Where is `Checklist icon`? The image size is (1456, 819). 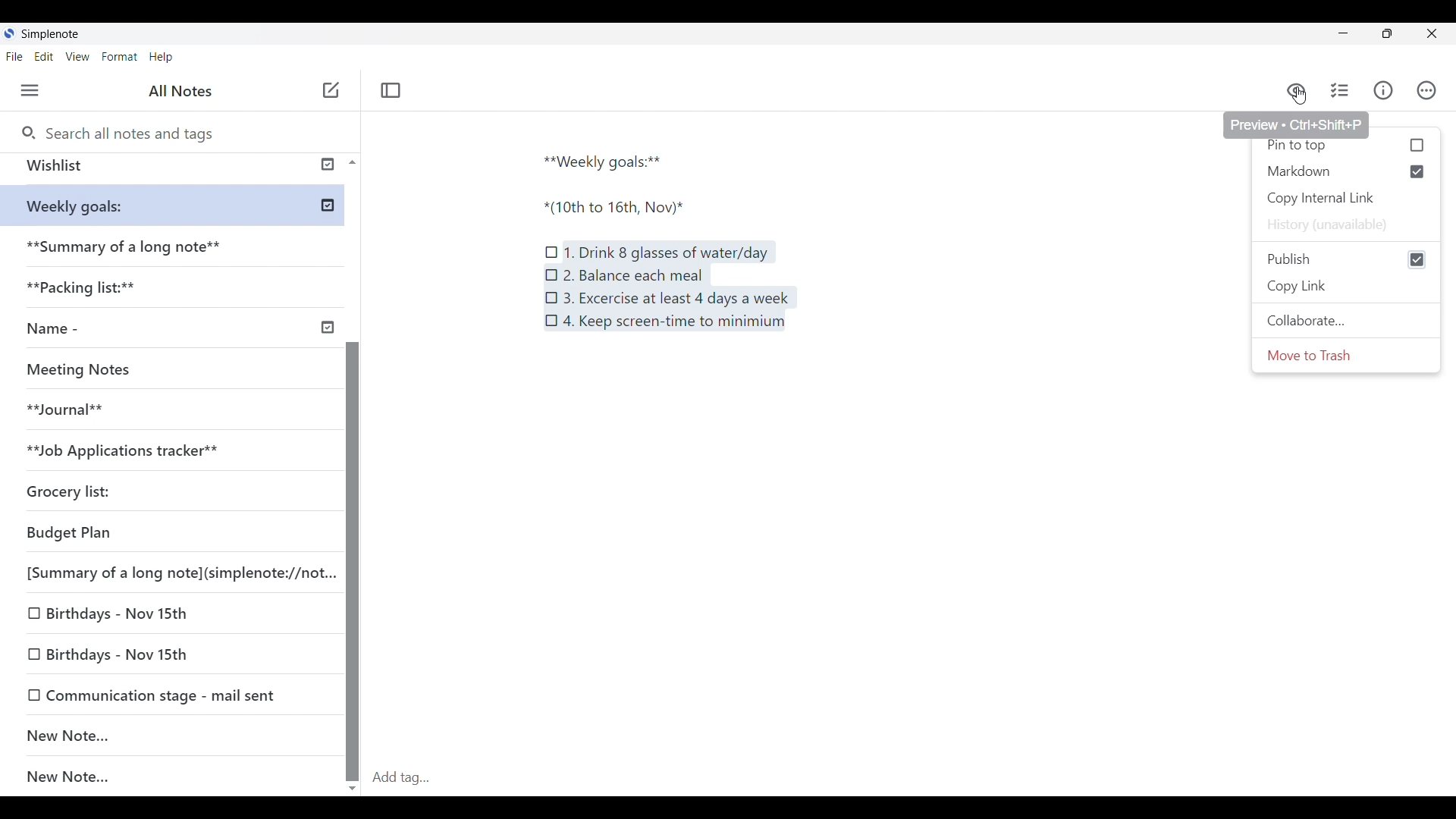 Checklist icon is located at coordinates (552, 247).